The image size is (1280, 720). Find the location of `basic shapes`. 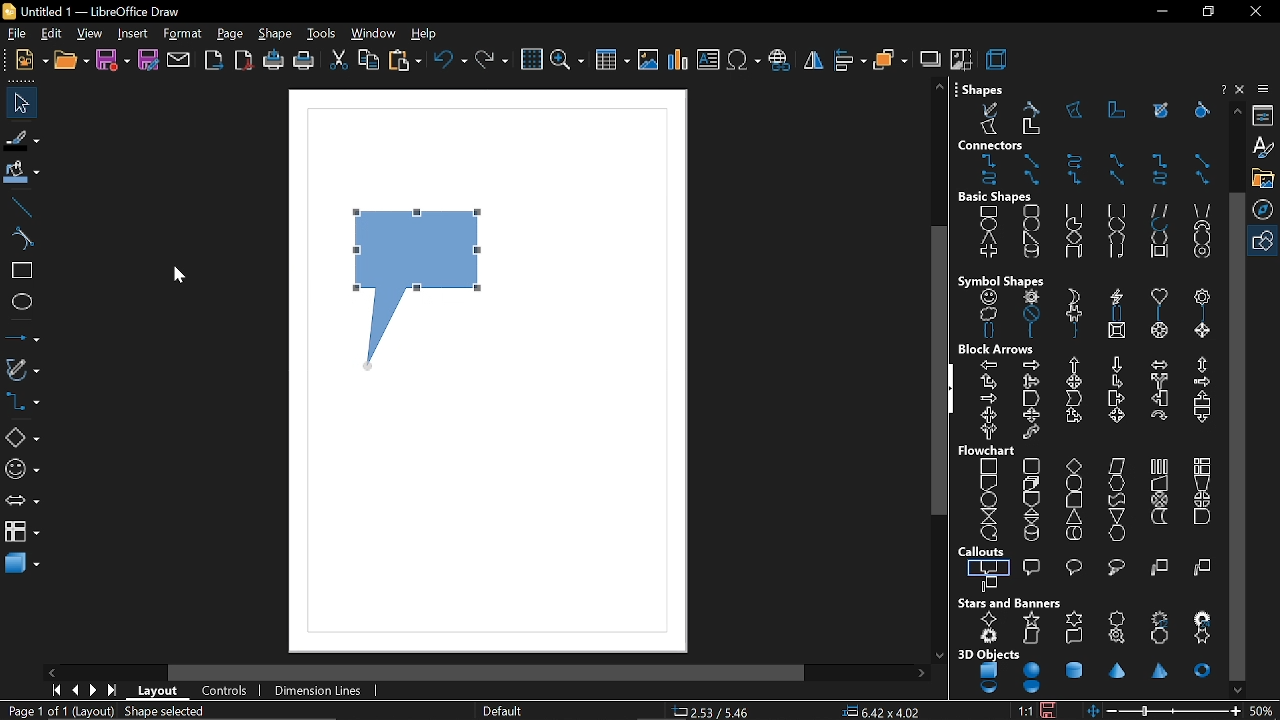

basic shapes is located at coordinates (22, 438).